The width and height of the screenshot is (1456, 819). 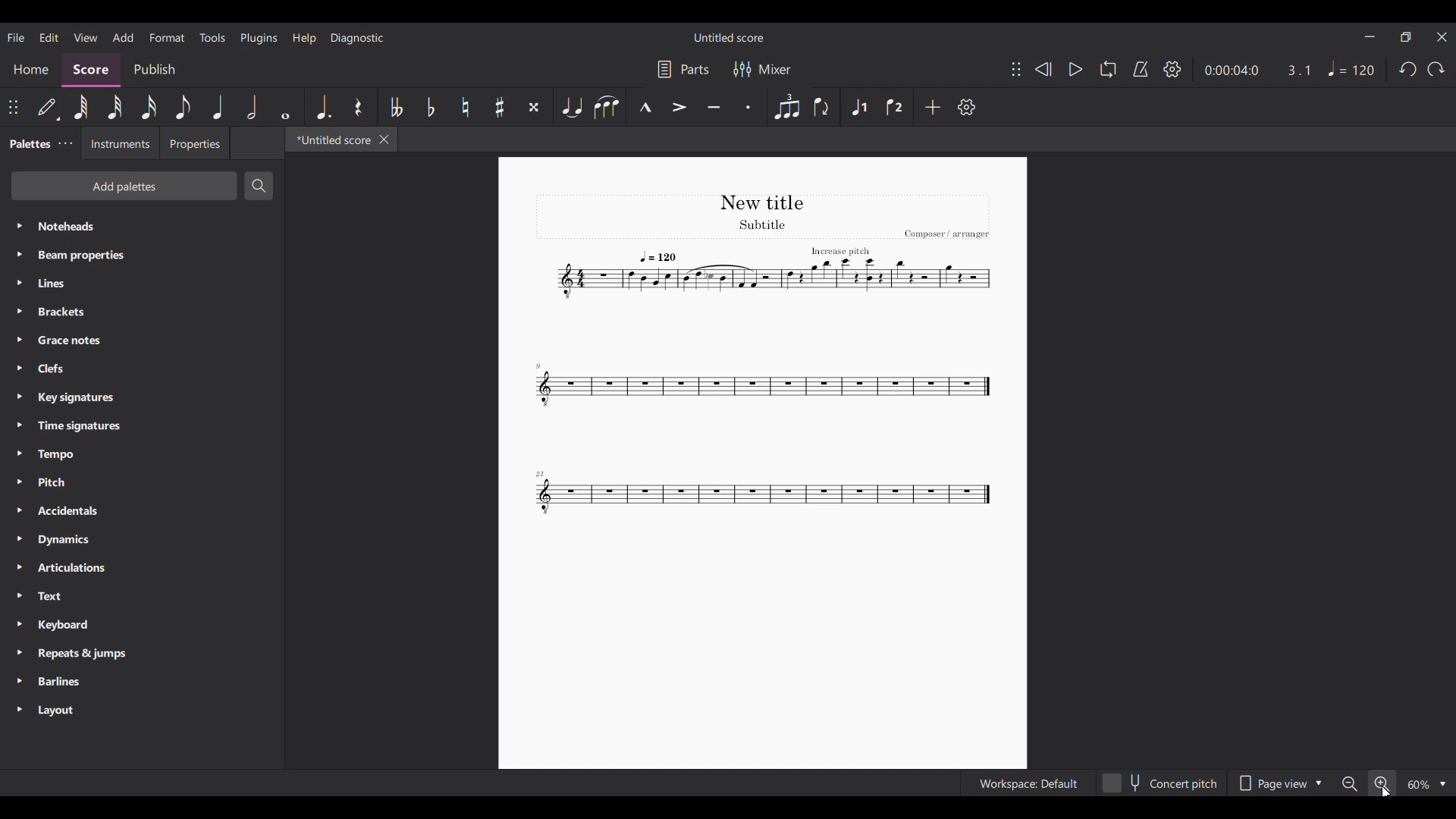 What do you see at coordinates (125, 186) in the screenshot?
I see `Add palettes` at bounding box center [125, 186].